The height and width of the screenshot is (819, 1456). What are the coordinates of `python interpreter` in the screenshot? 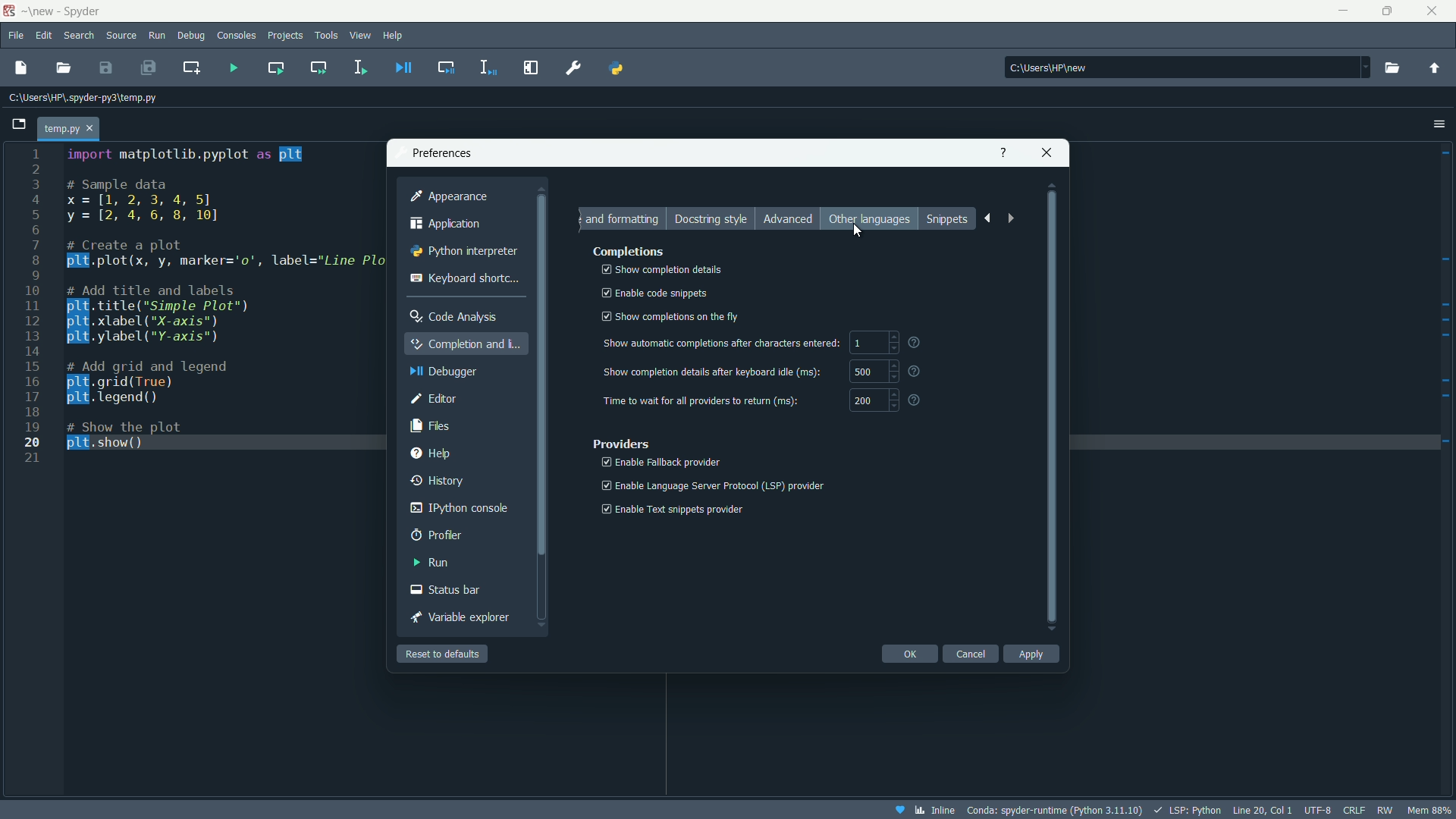 It's located at (460, 253).